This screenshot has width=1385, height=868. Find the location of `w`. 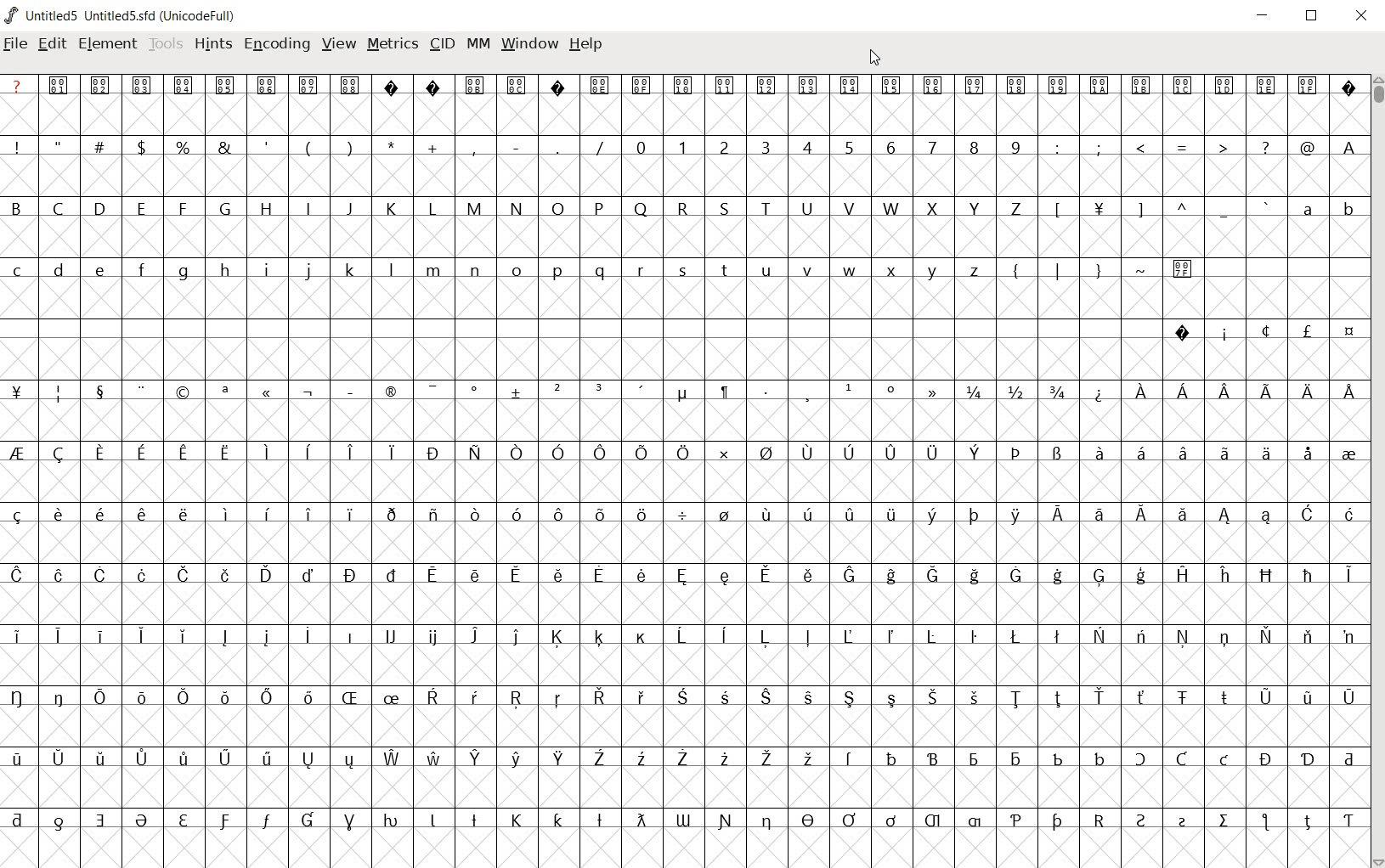

w is located at coordinates (848, 270).